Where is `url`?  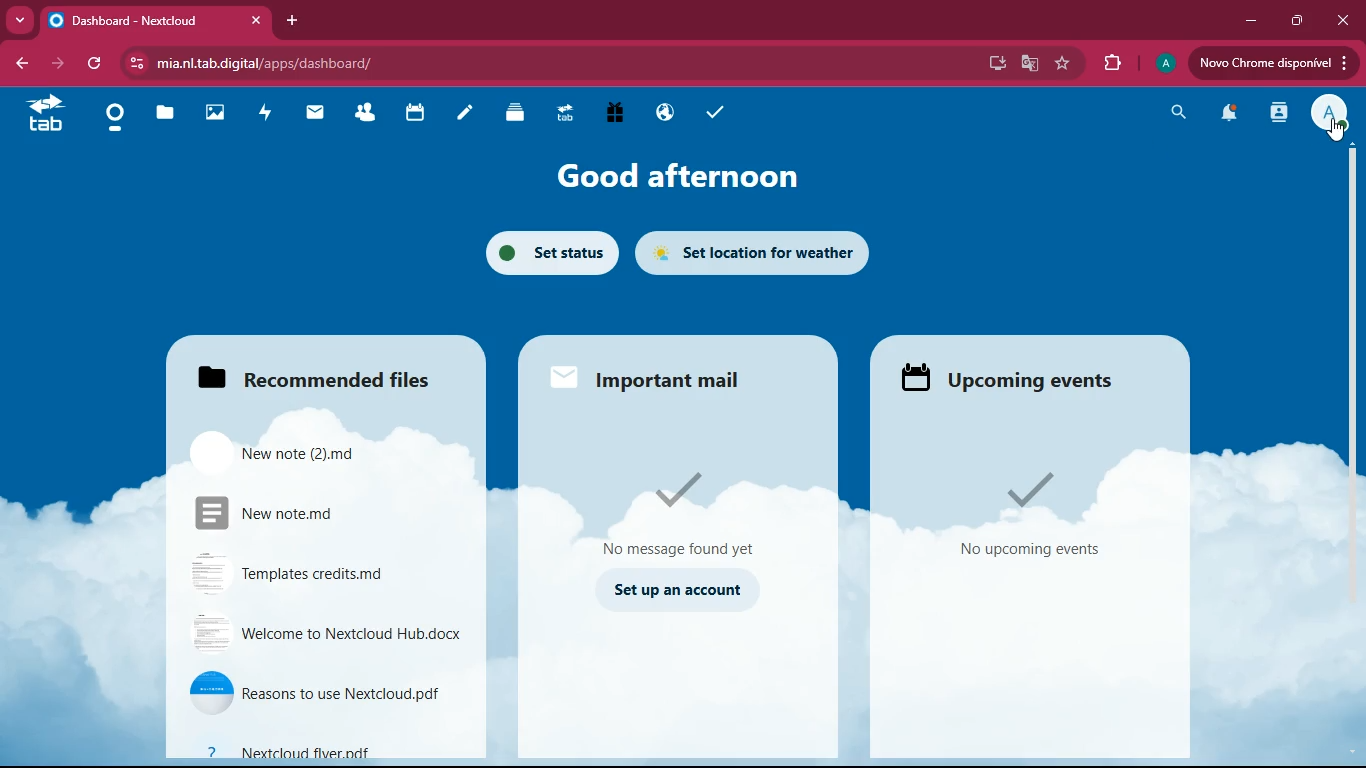 url is located at coordinates (340, 63).